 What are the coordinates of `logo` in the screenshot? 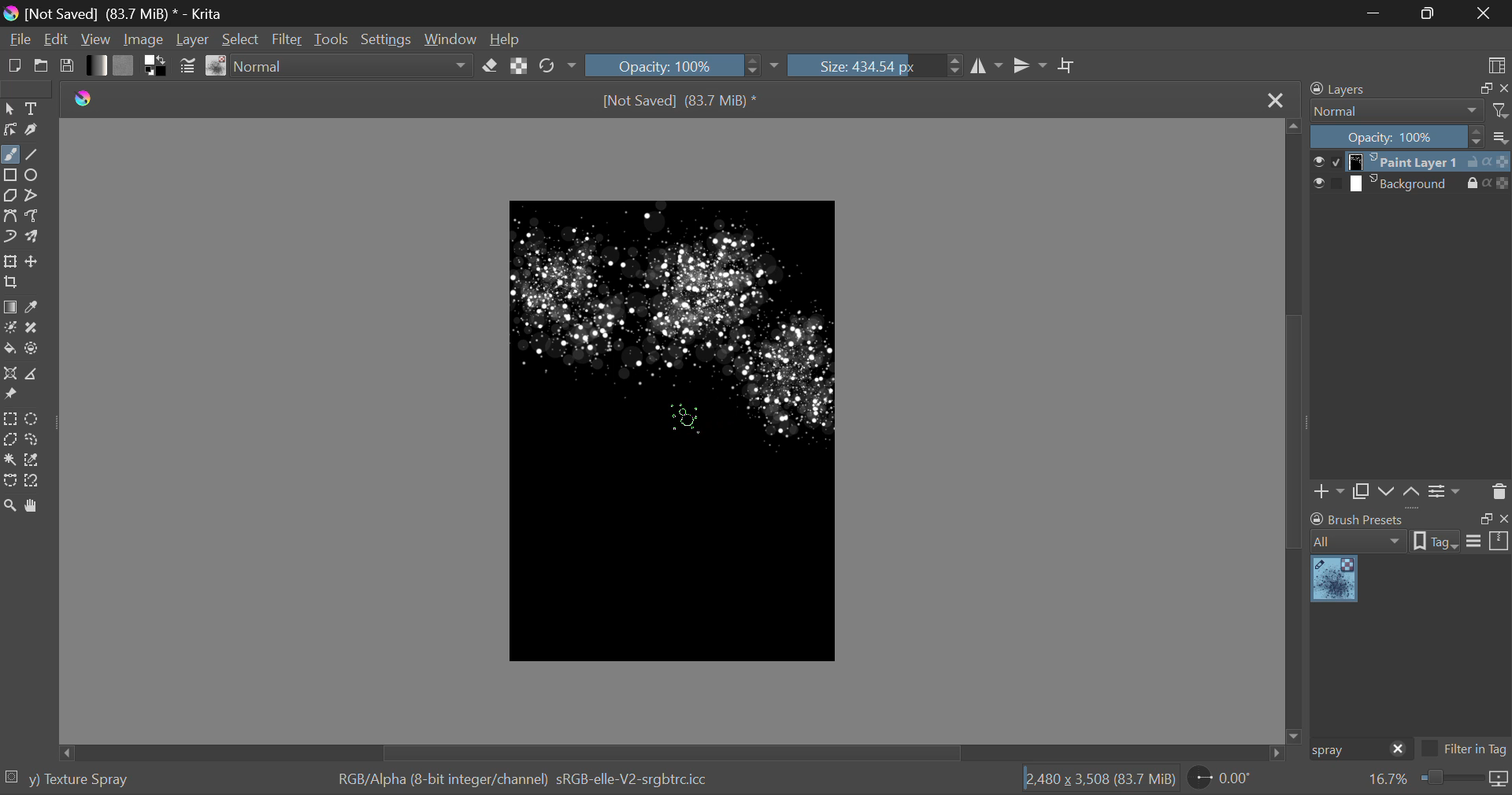 It's located at (10, 15).